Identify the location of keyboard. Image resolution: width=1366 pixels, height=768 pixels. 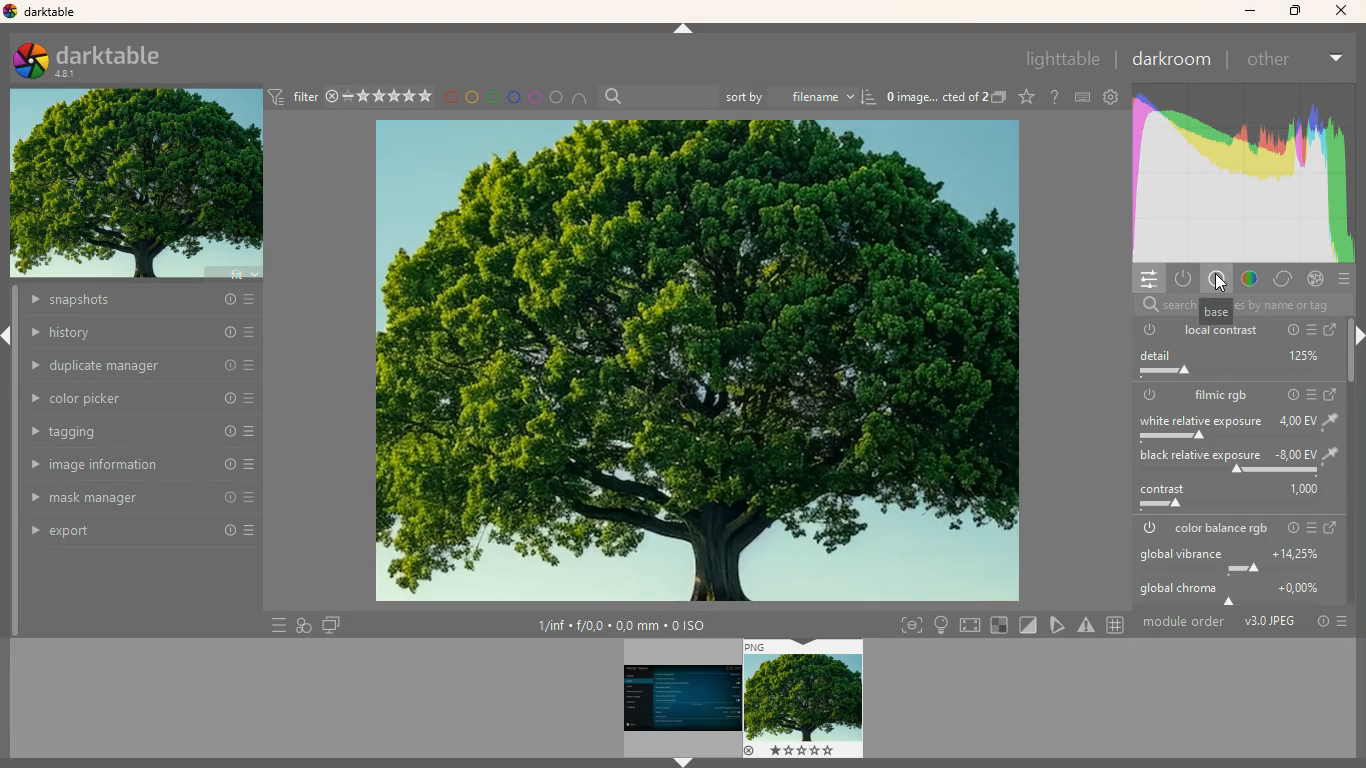
(1079, 97).